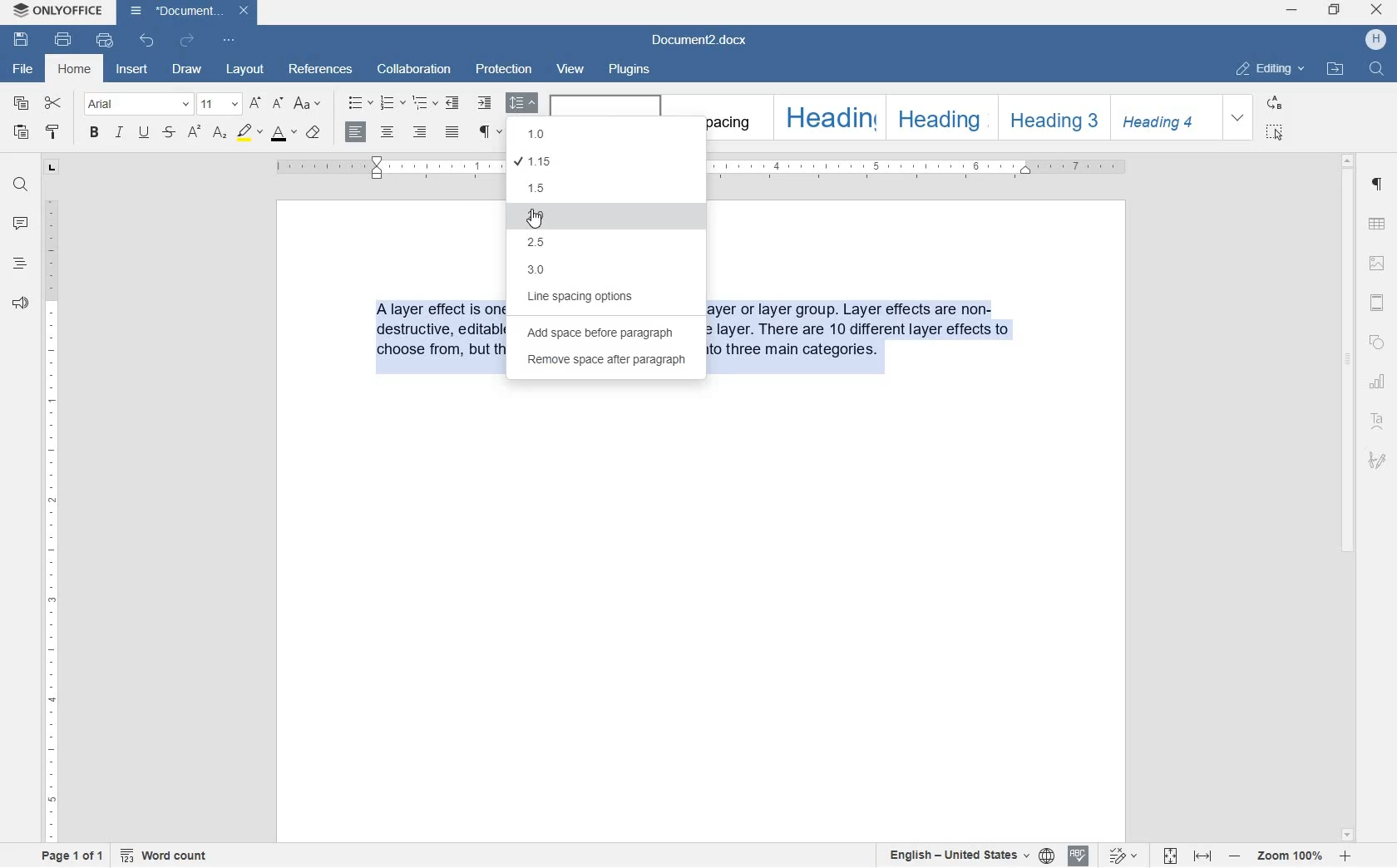  Describe the element at coordinates (1377, 340) in the screenshot. I see `shapes` at that location.